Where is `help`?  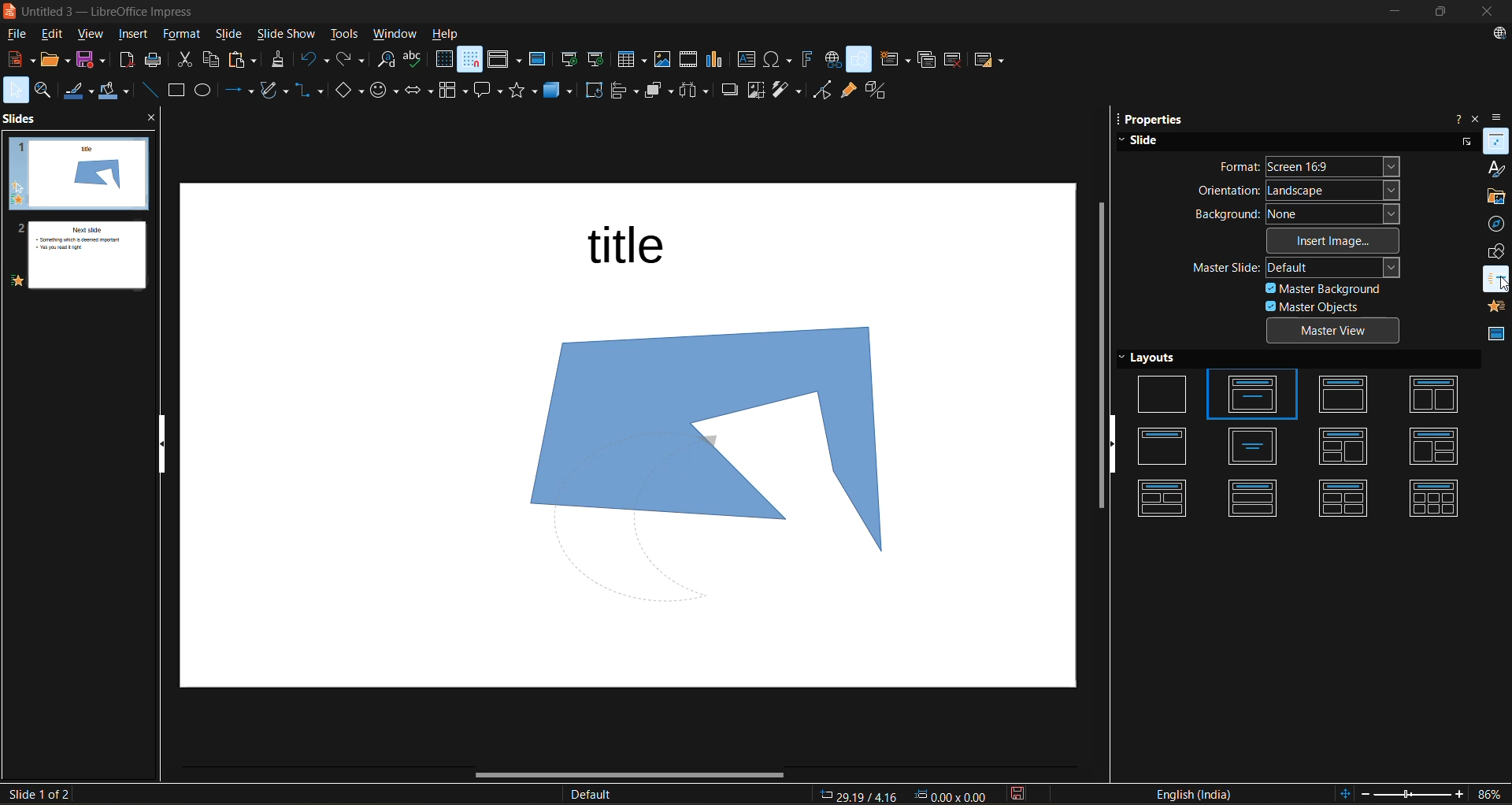 help is located at coordinates (454, 33).